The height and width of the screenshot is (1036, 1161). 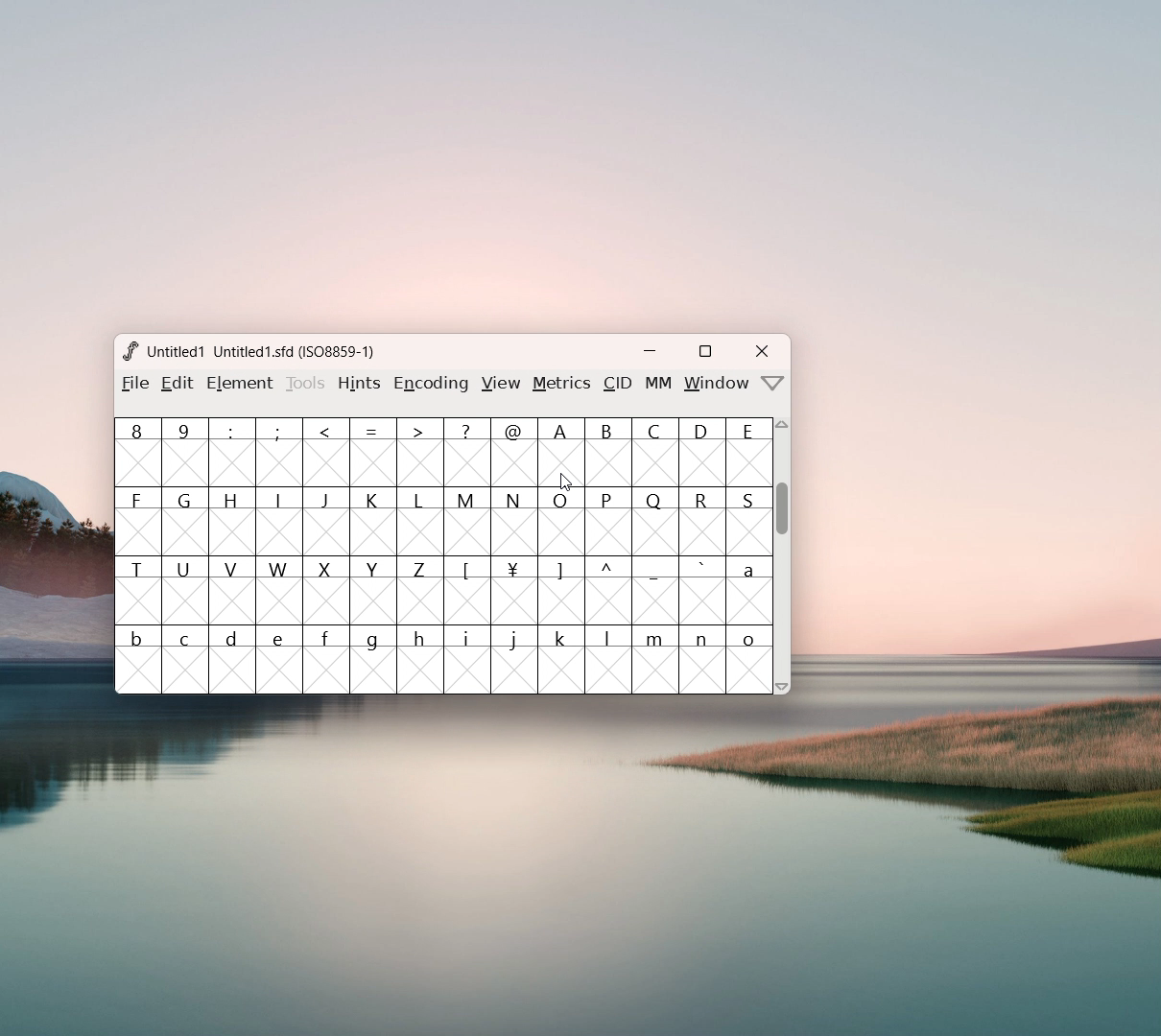 What do you see at coordinates (750, 590) in the screenshot?
I see `a` at bounding box center [750, 590].